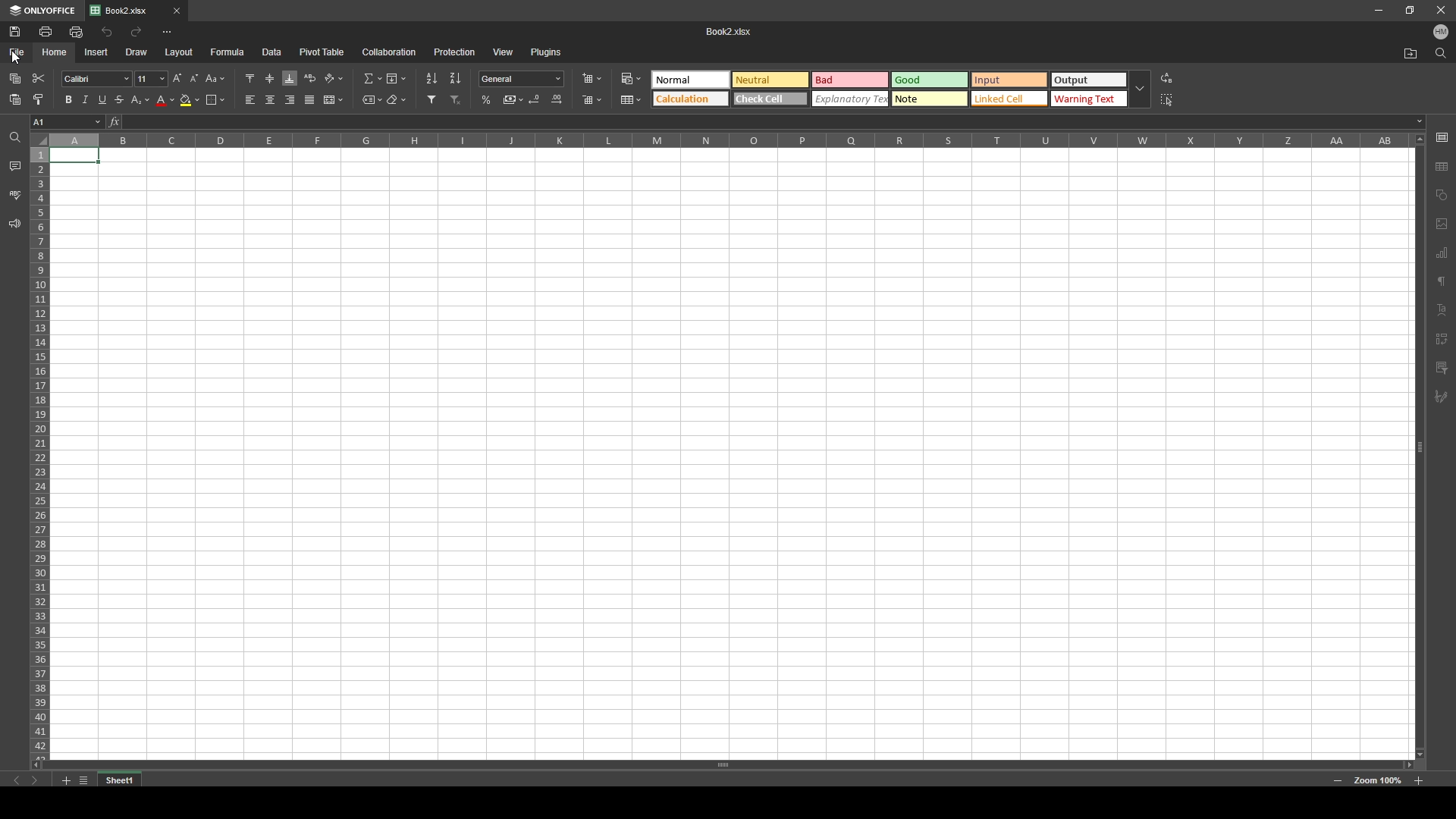 The image size is (1456, 819). I want to click on Good, so click(930, 80).